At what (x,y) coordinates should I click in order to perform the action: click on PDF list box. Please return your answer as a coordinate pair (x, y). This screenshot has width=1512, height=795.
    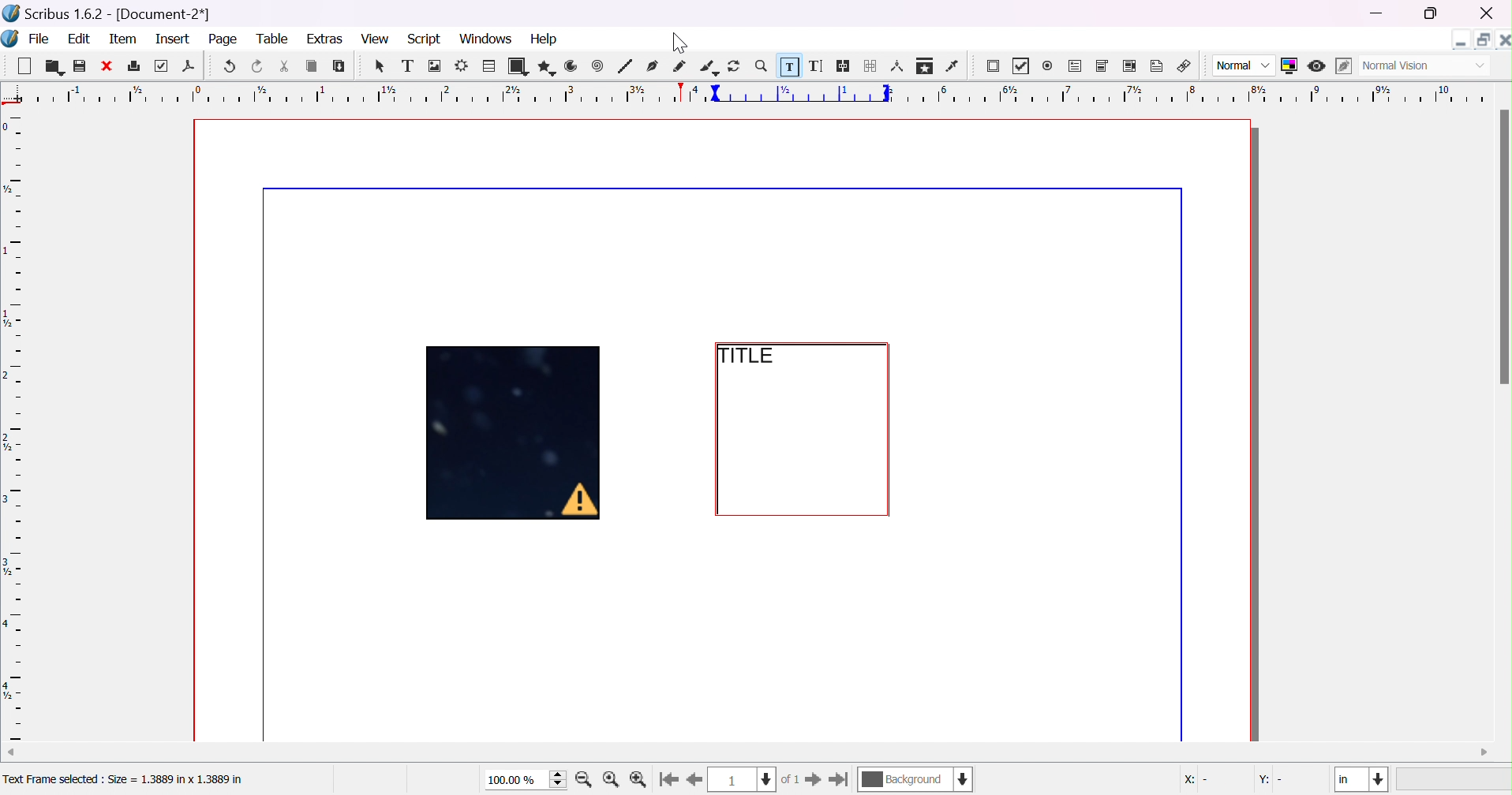
    Looking at the image, I should click on (1128, 65).